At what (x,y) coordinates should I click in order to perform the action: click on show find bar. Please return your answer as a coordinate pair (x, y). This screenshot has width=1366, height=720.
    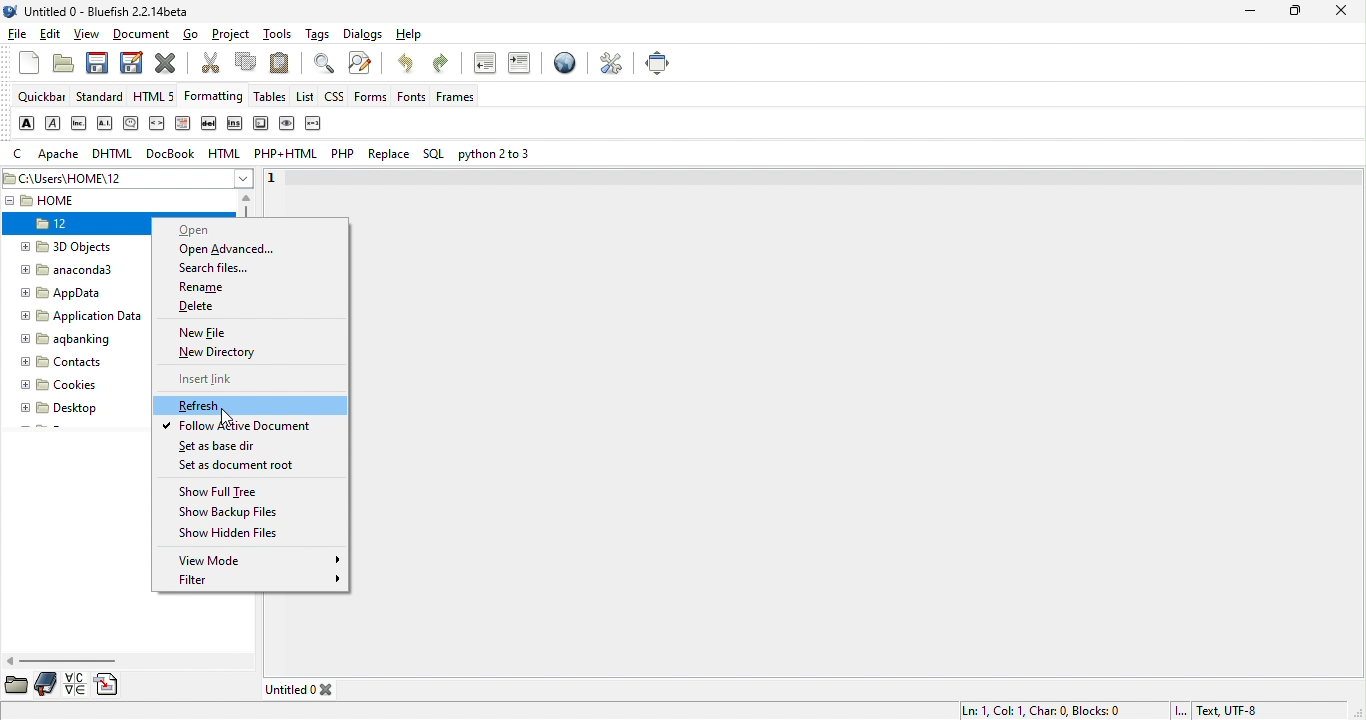
    Looking at the image, I should click on (324, 65).